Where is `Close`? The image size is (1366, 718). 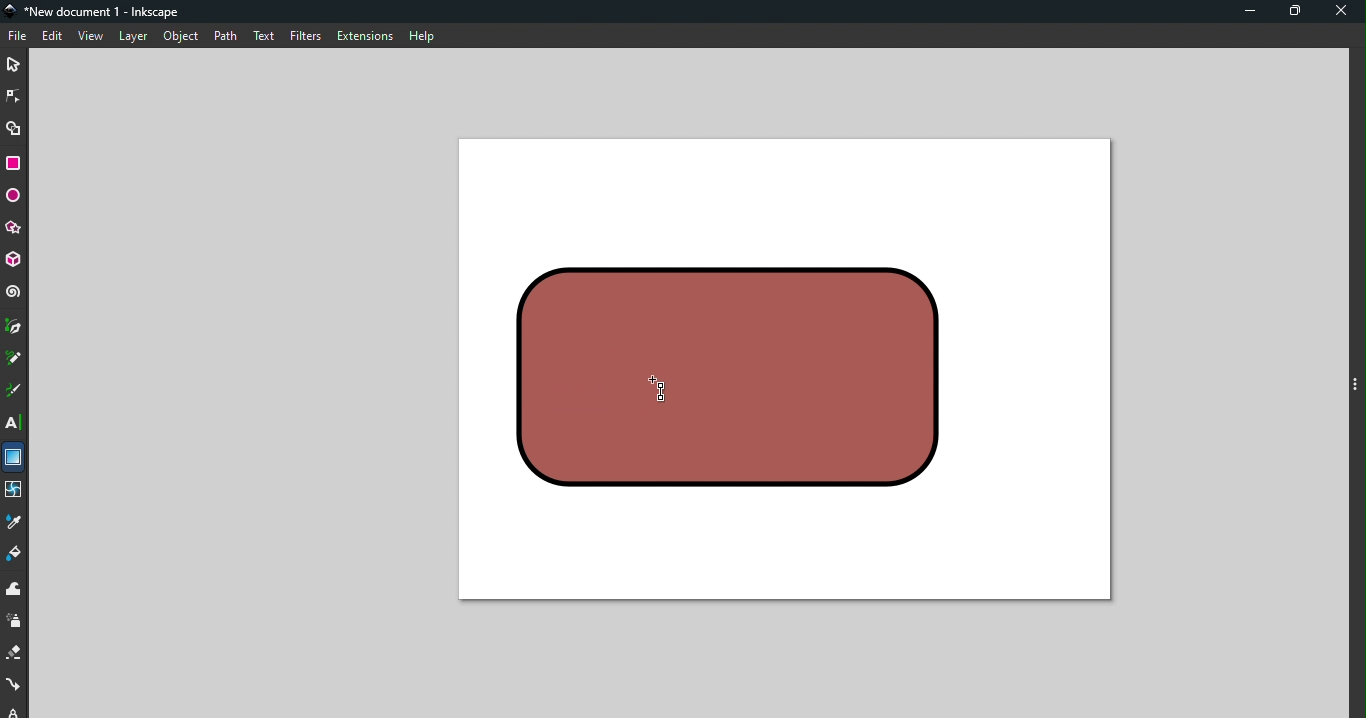 Close is located at coordinates (1343, 13).